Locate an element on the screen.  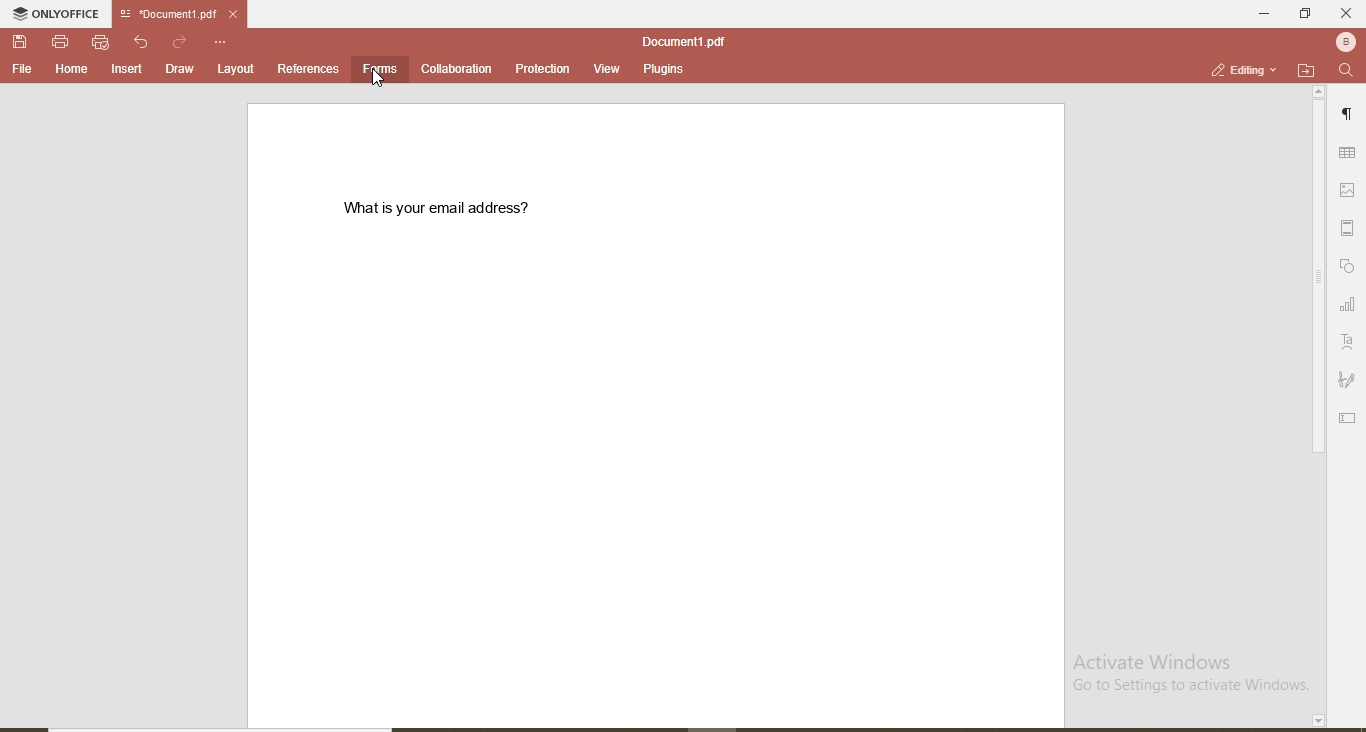
table is located at coordinates (1348, 154).